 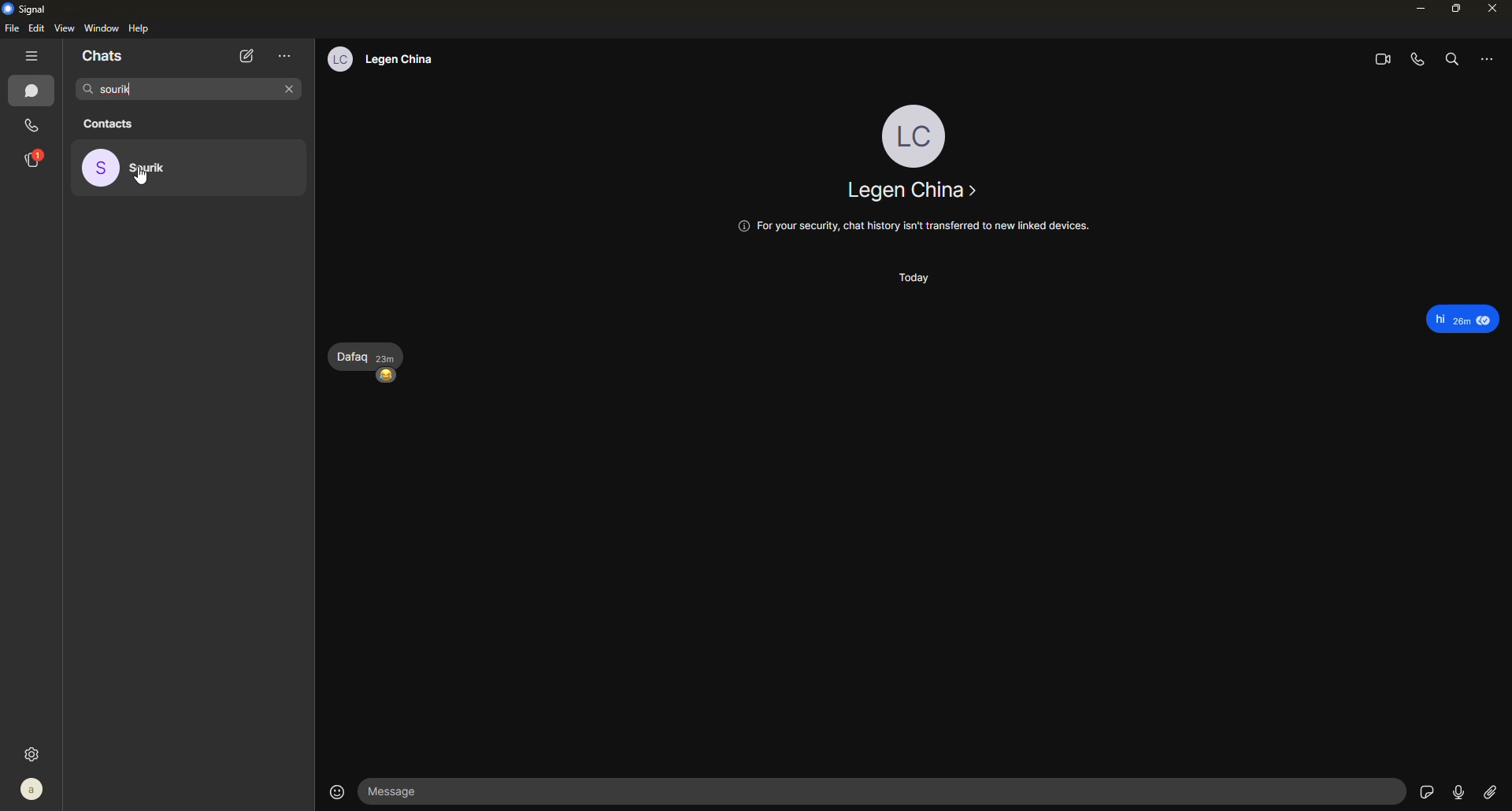 I want to click on @ For your security, chat history isn't transferred to new linked devices., so click(x=913, y=227).